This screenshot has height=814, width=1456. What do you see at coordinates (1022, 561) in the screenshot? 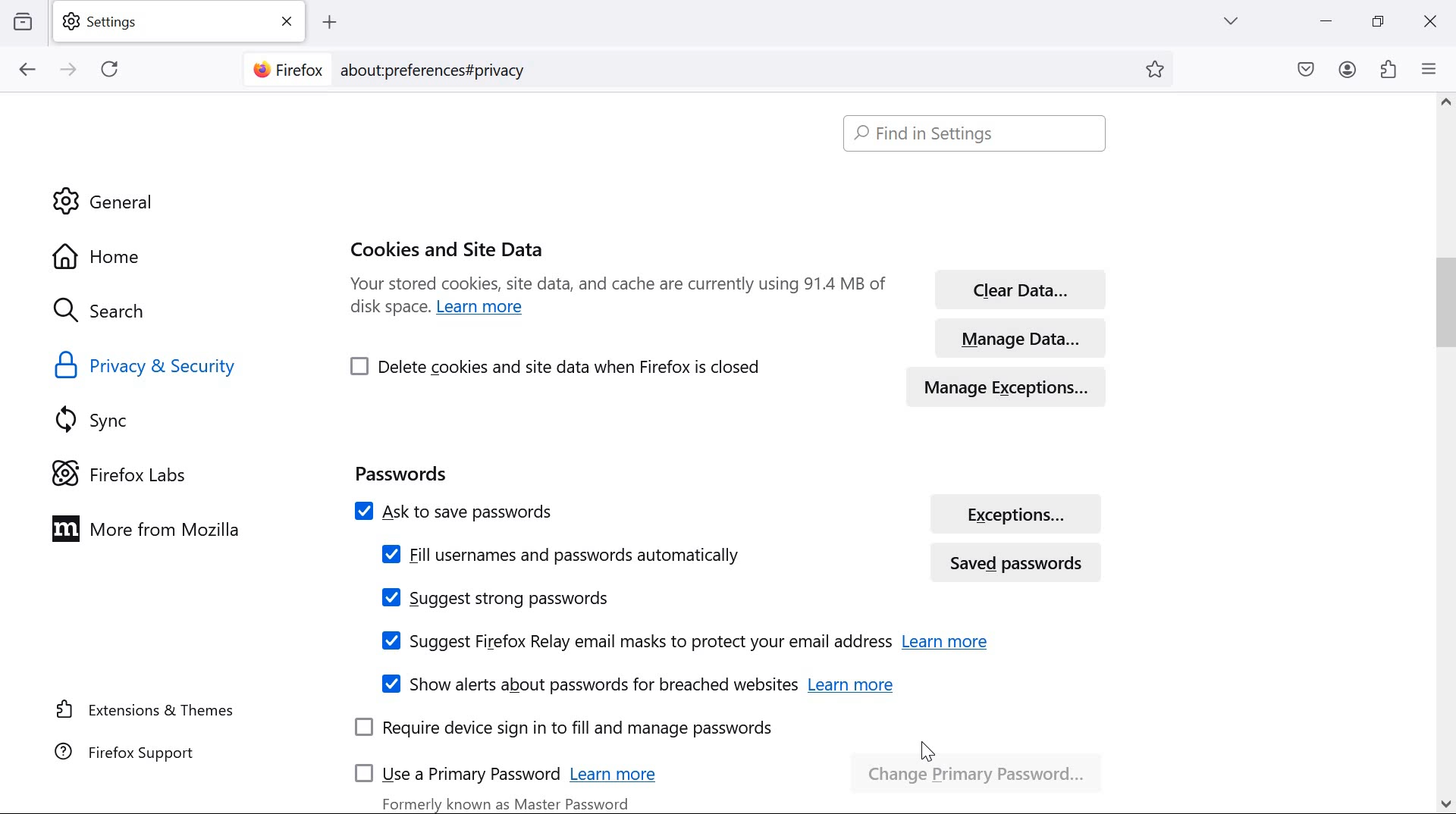
I see `Saved passwords` at bounding box center [1022, 561].